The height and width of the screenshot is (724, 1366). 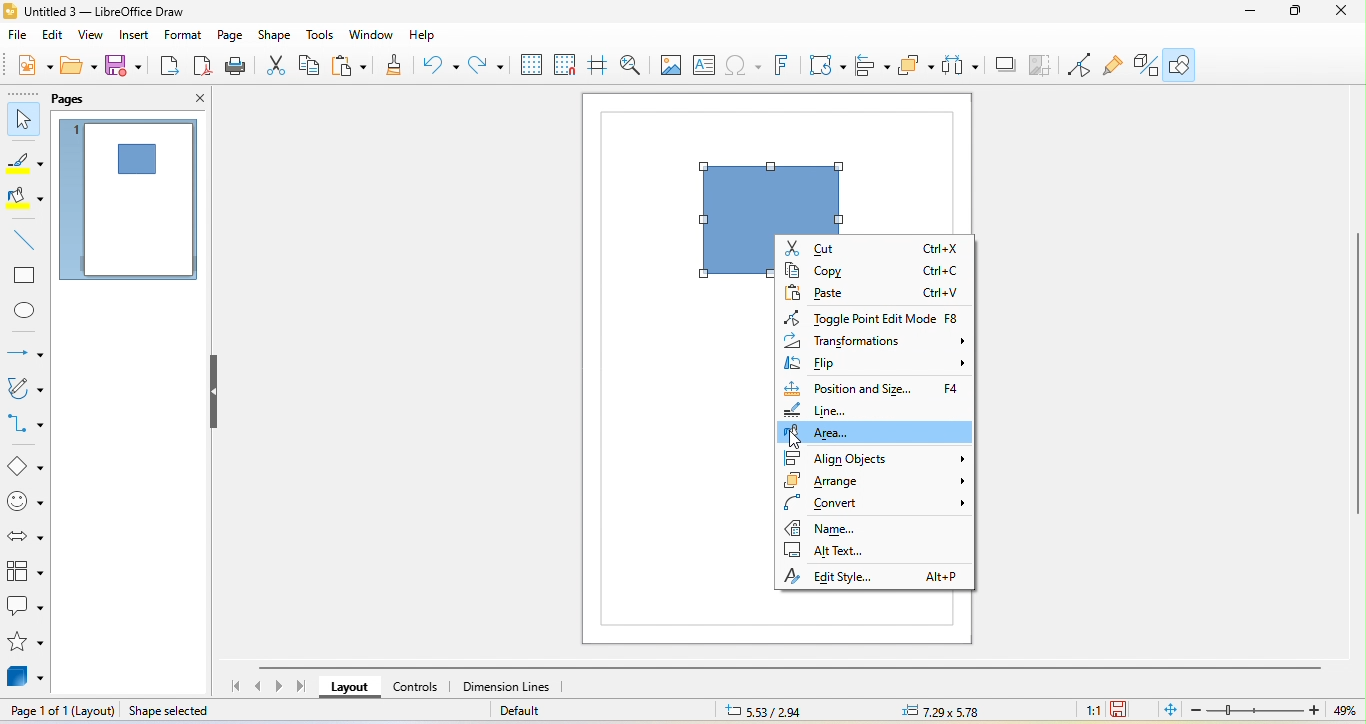 What do you see at coordinates (1146, 66) in the screenshot?
I see `extrusion` at bounding box center [1146, 66].